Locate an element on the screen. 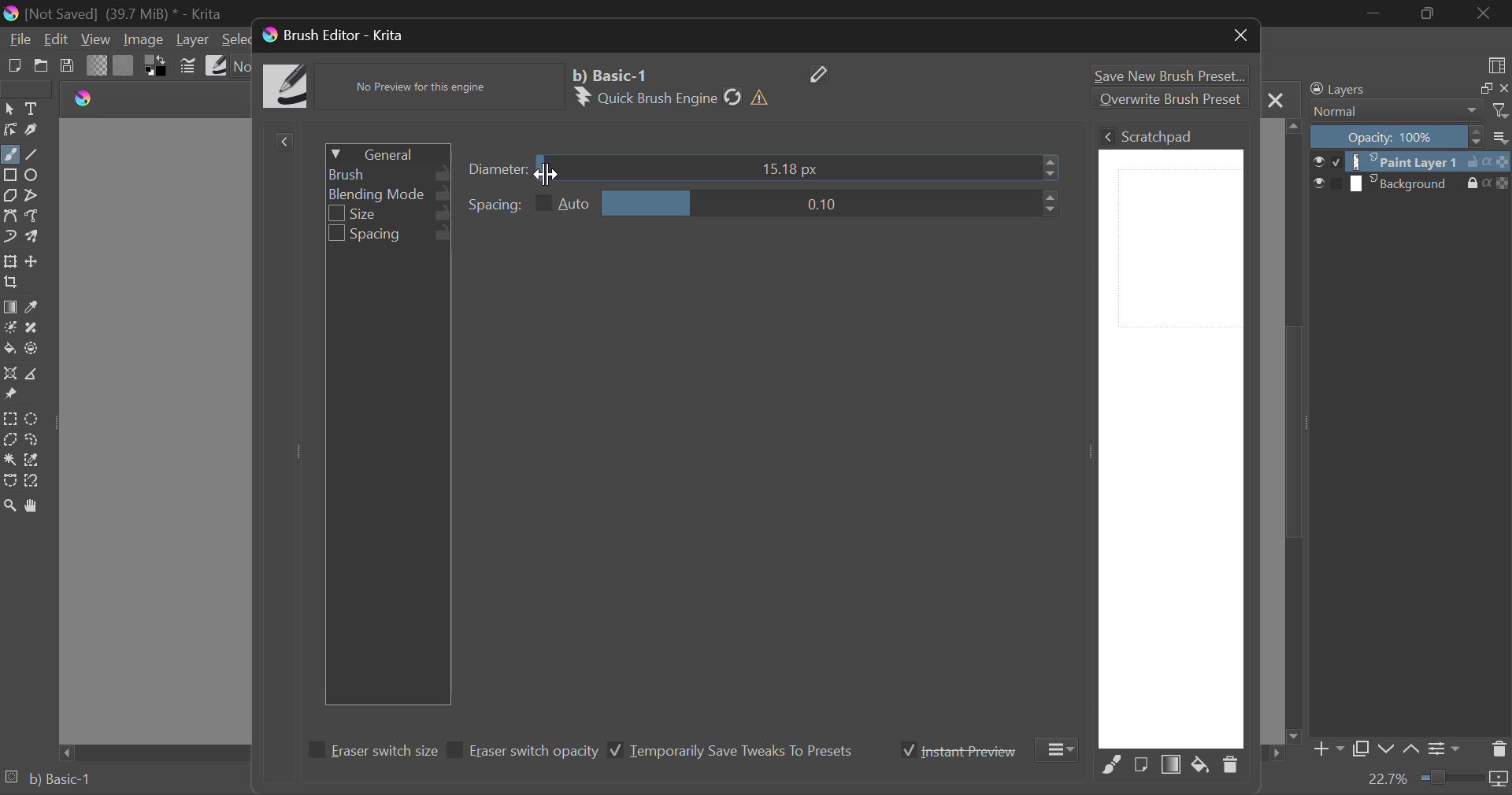 This screenshot has height=795, width=1512. Move Layer Down is located at coordinates (1385, 747).